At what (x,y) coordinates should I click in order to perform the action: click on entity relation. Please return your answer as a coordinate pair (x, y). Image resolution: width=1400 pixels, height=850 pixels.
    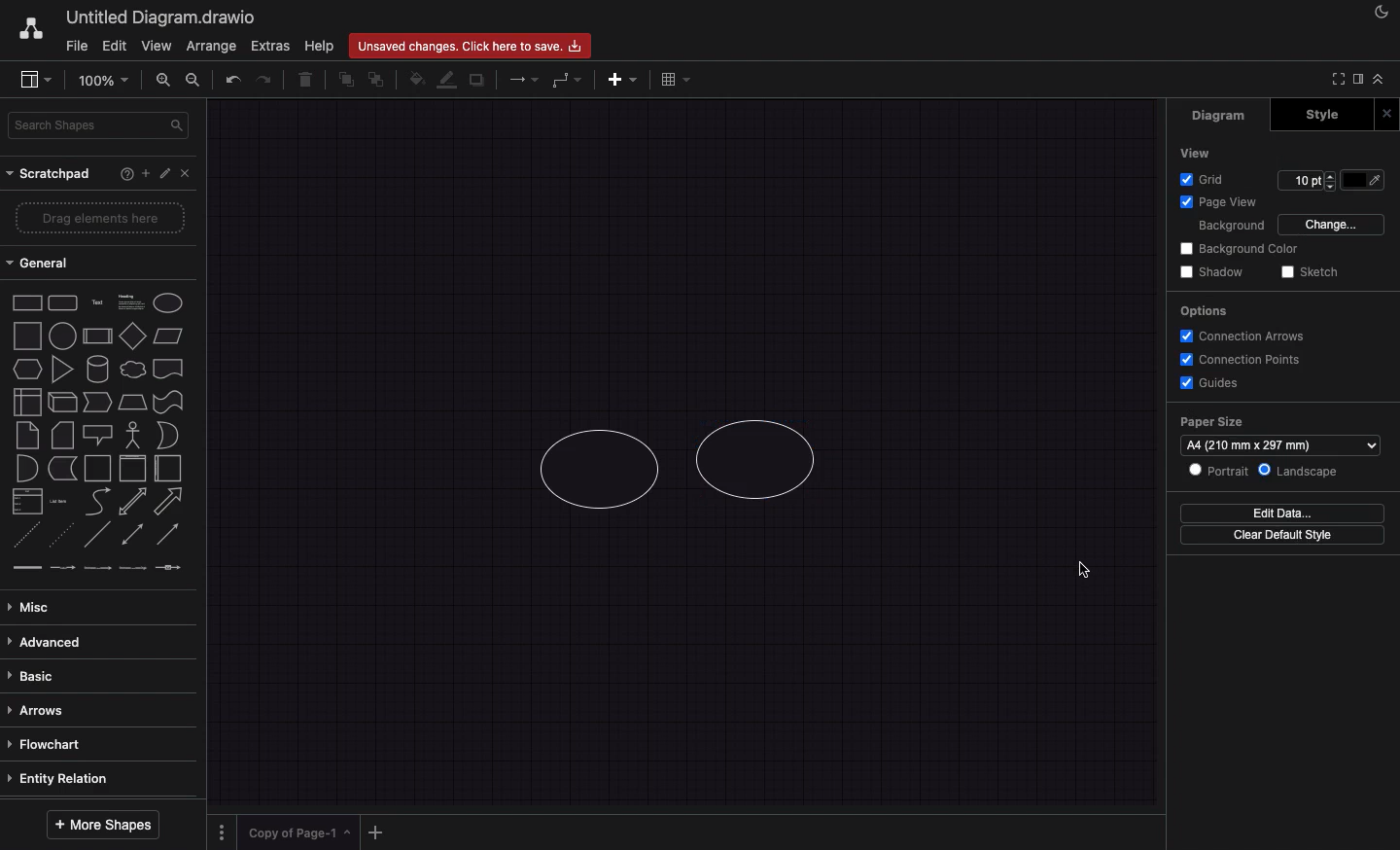
    Looking at the image, I should click on (95, 777).